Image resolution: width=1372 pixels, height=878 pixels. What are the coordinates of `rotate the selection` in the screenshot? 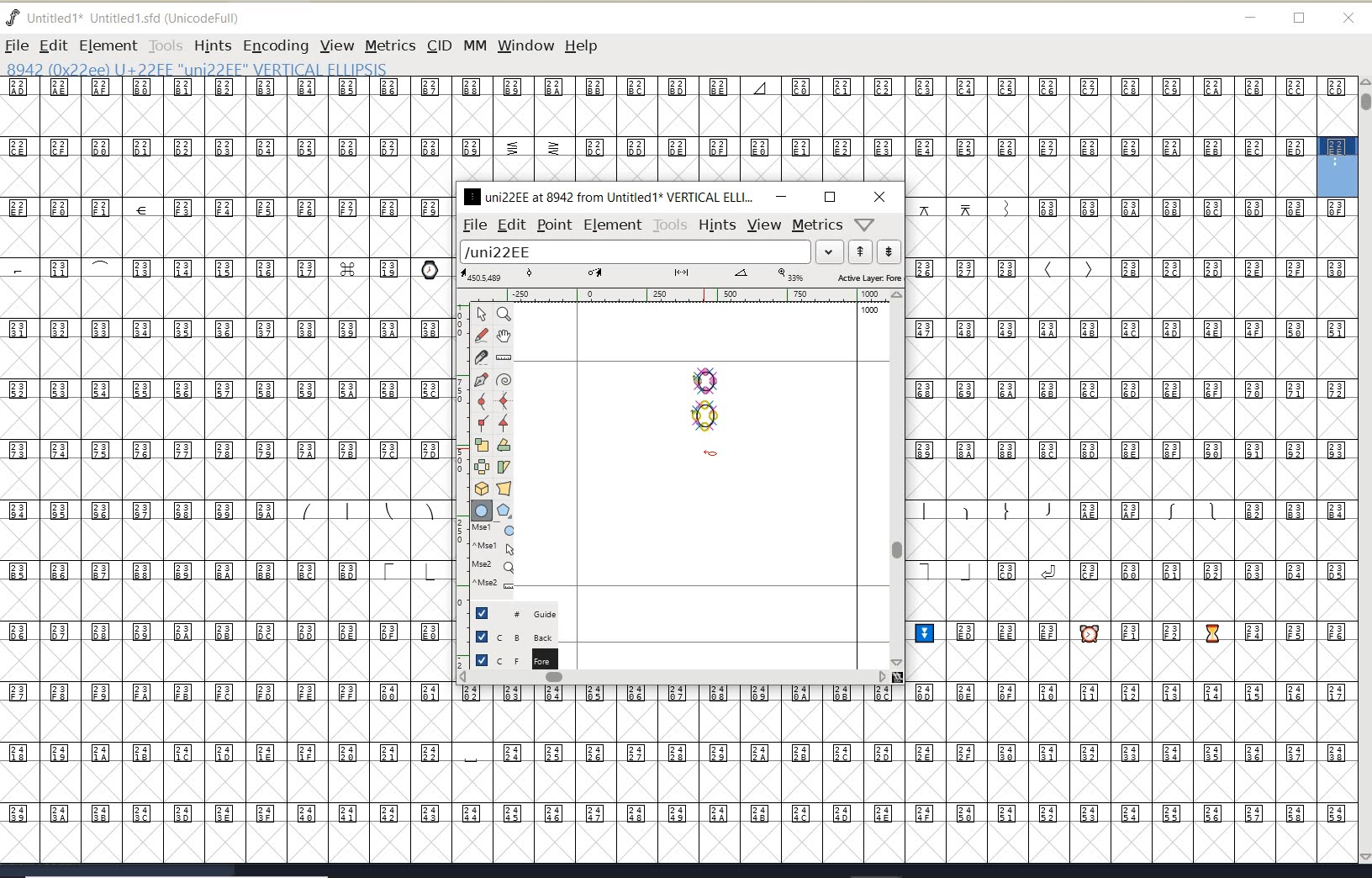 It's located at (504, 445).